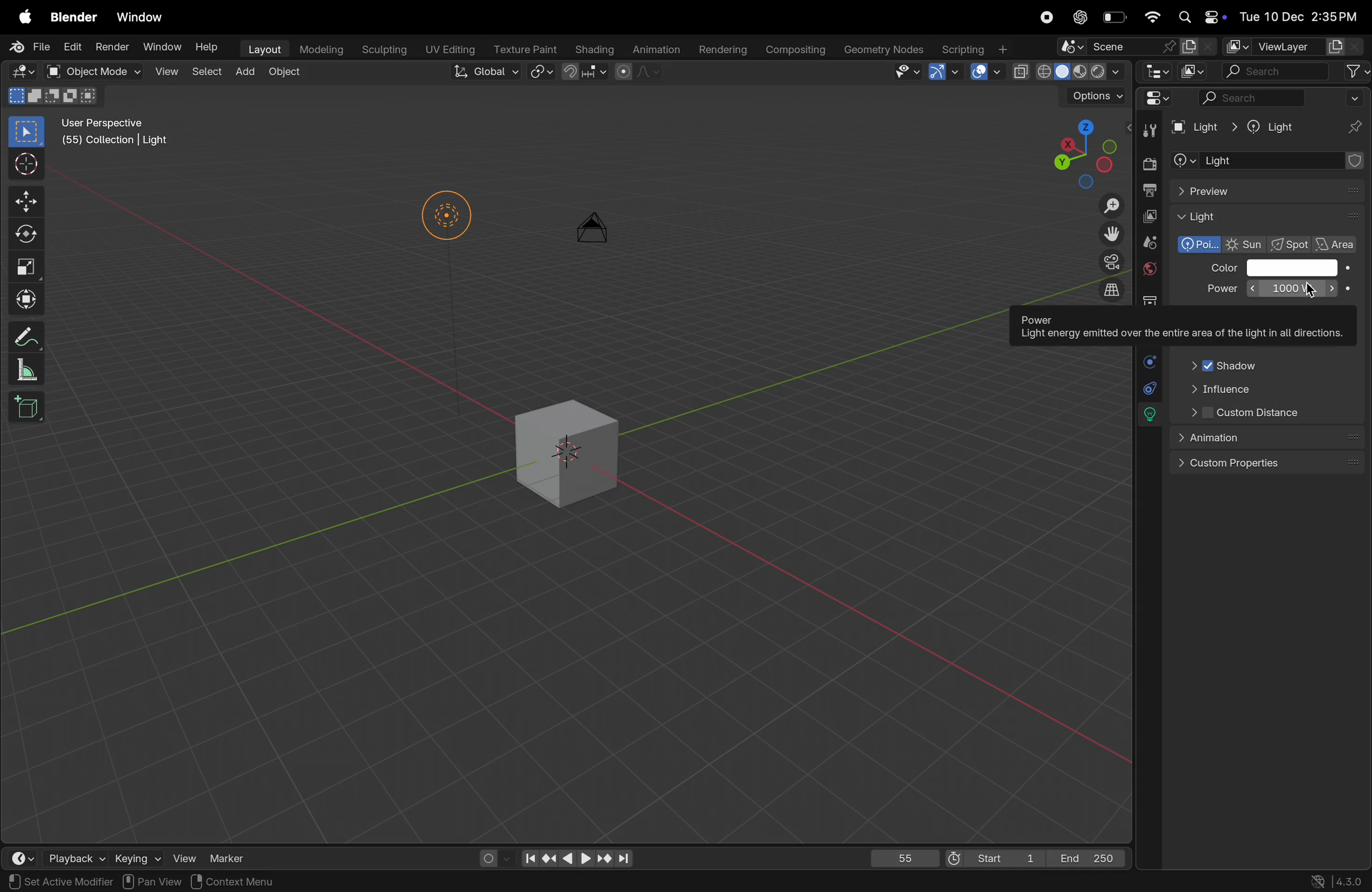  What do you see at coordinates (903, 72) in the screenshot?
I see `visibility` at bounding box center [903, 72].